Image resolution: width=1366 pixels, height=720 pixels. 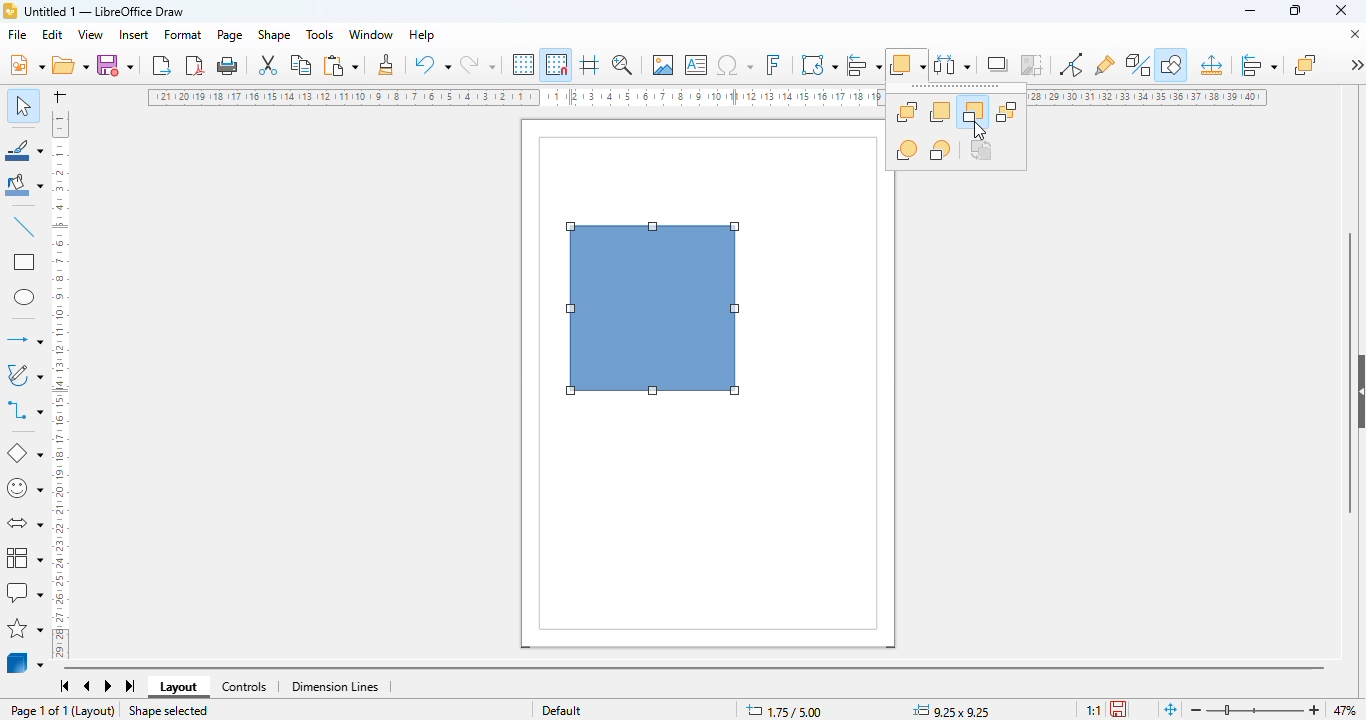 I want to click on minimize, so click(x=1250, y=11).